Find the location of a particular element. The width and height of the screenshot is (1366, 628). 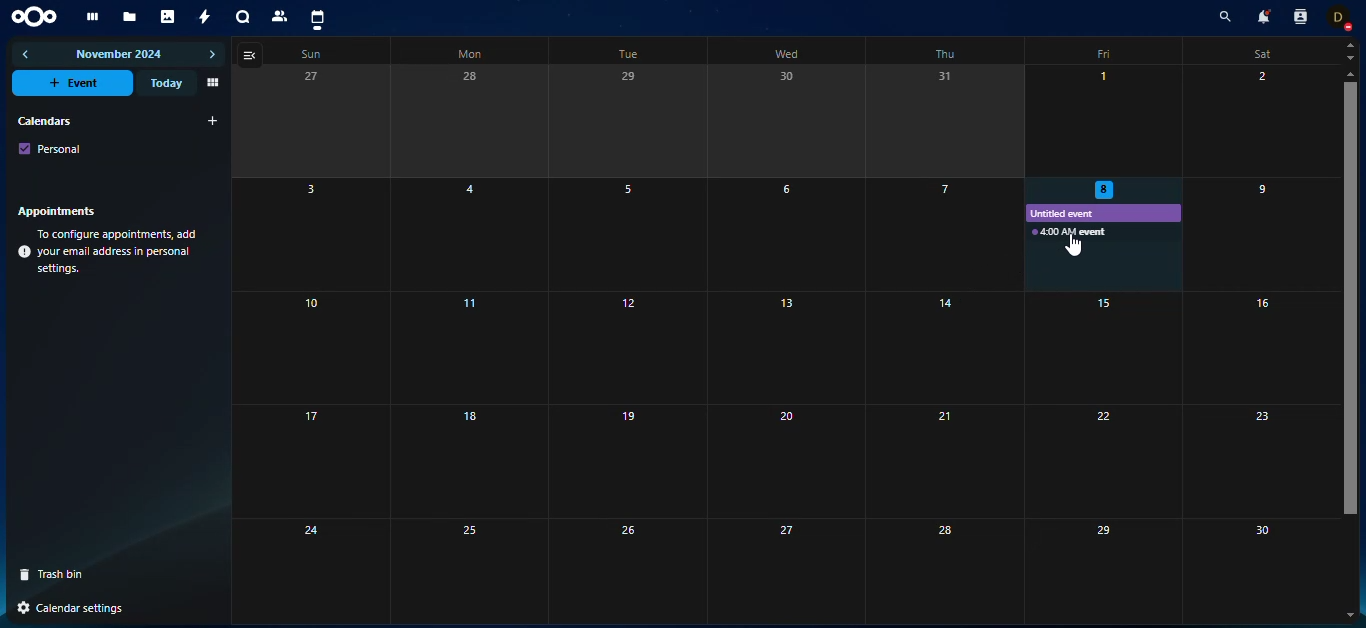

november is located at coordinates (120, 56).